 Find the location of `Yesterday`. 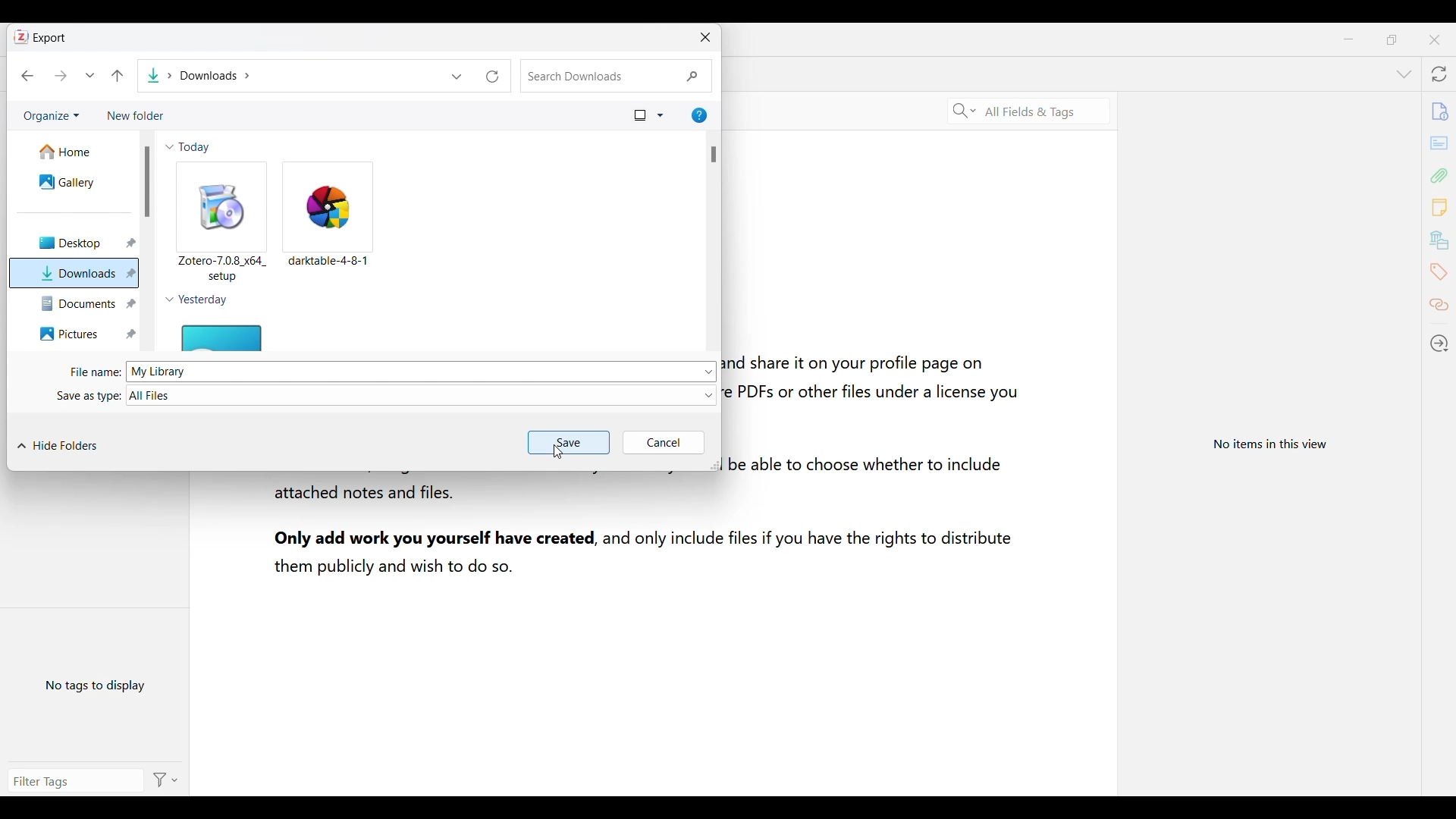

Yesterday is located at coordinates (197, 298).